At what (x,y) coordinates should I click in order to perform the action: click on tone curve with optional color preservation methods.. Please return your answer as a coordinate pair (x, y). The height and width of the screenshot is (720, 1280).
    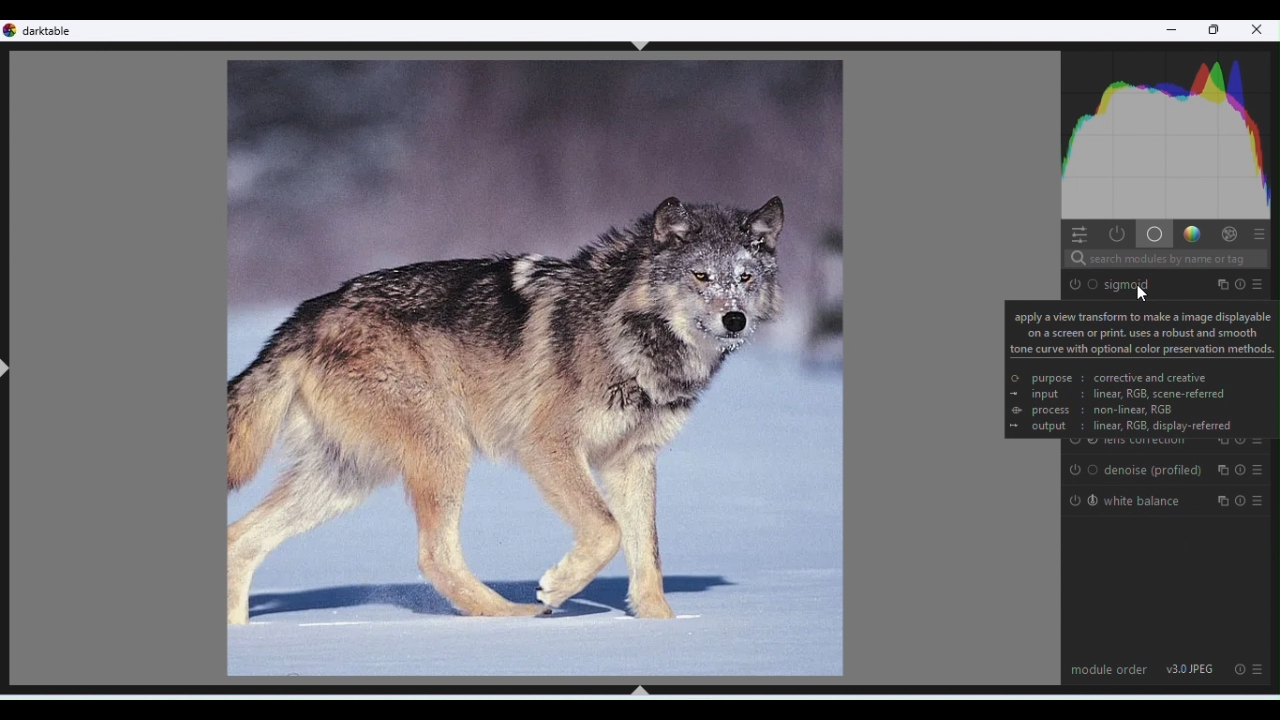
    Looking at the image, I should click on (1143, 349).